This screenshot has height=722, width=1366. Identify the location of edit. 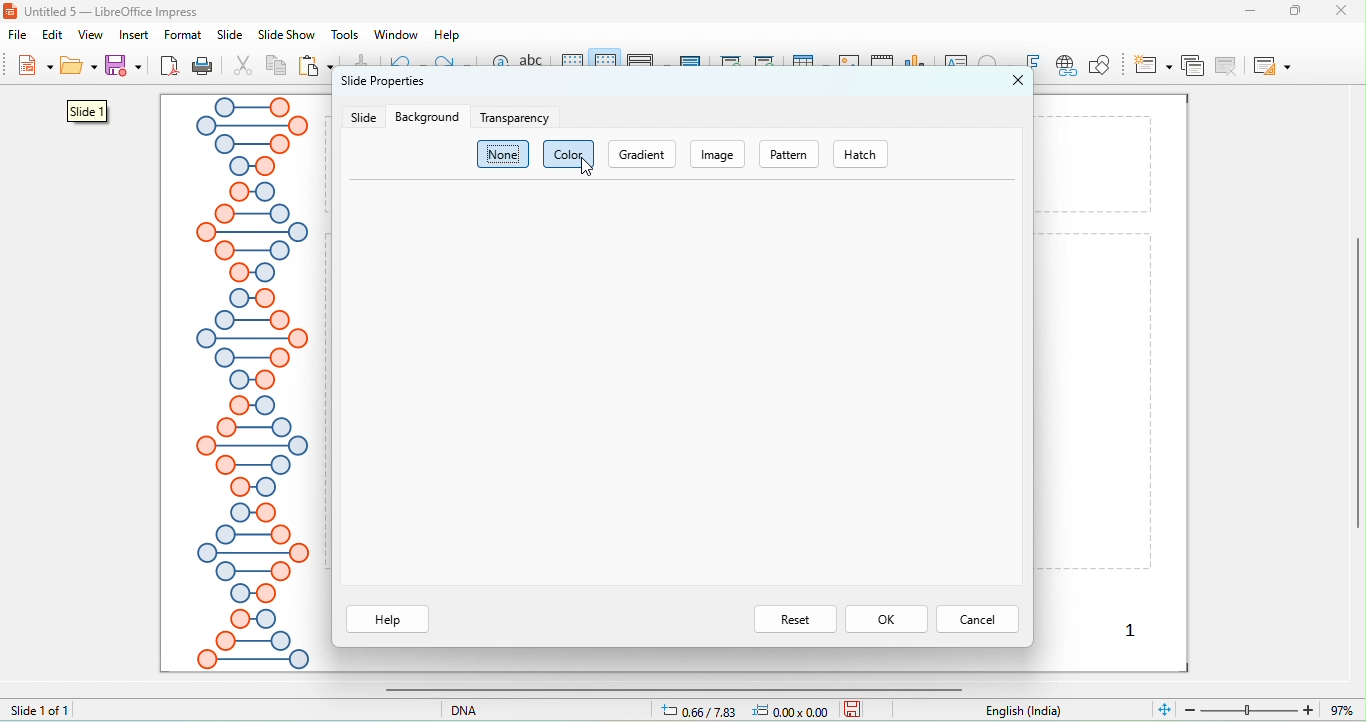
(55, 35).